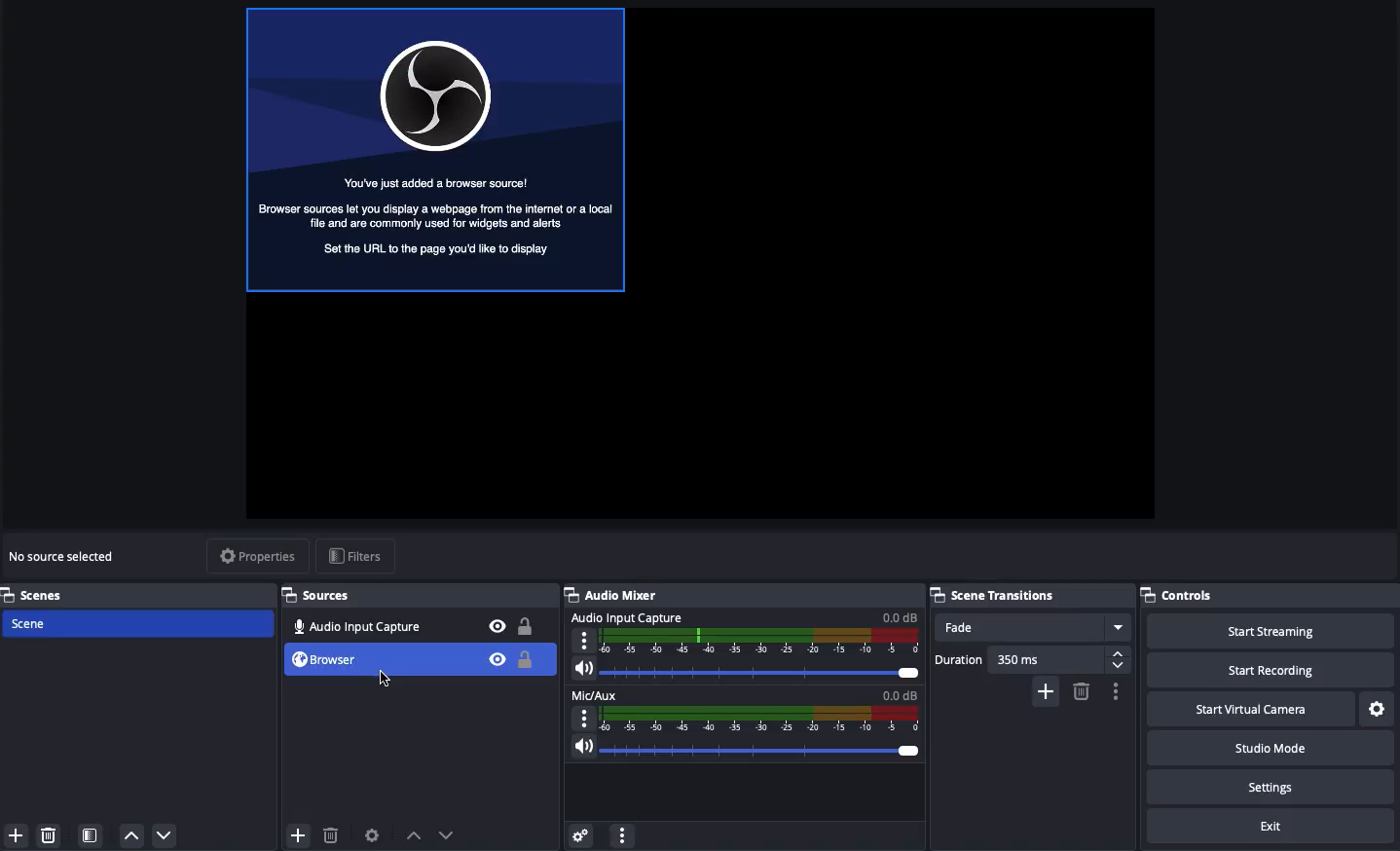 Image resolution: width=1400 pixels, height=851 pixels. I want to click on Audio input capture, so click(353, 624).